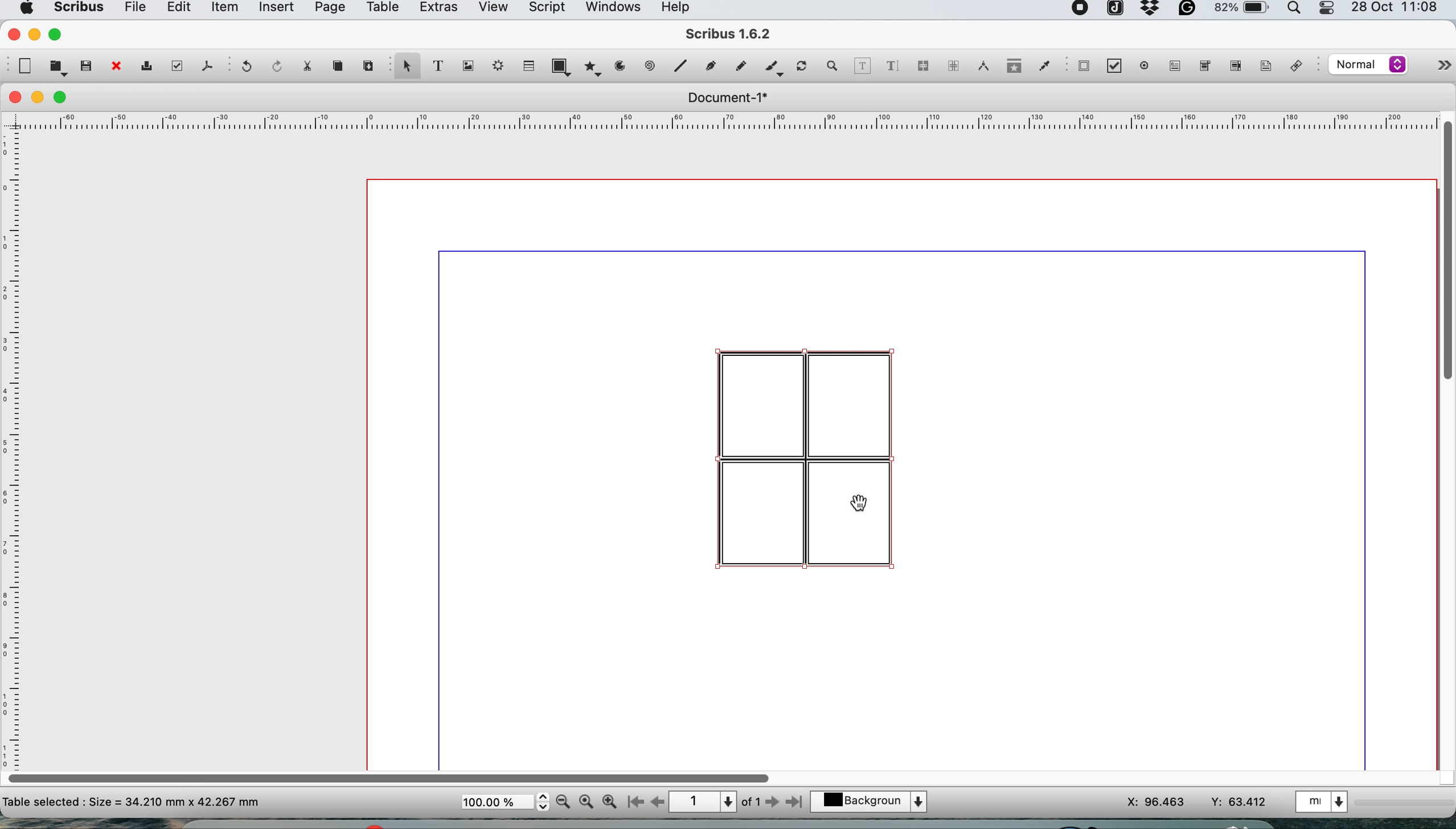  Describe the element at coordinates (1189, 11) in the screenshot. I see `grammarly` at that location.